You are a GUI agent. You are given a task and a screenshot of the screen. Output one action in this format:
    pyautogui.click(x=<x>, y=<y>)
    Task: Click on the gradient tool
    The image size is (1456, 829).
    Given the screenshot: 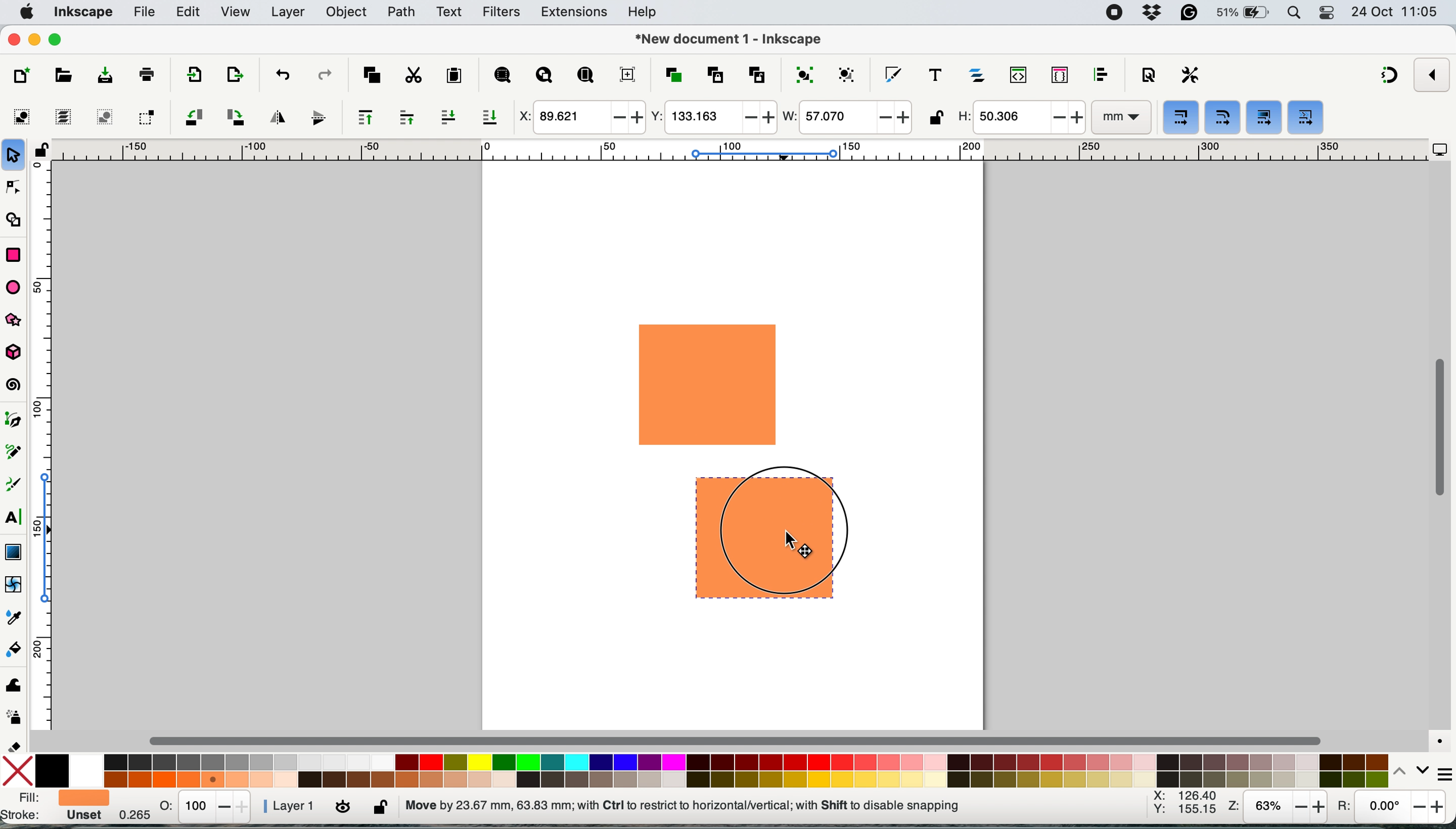 What is the action you would take?
    pyautogui.click(x=13, y=550)
    